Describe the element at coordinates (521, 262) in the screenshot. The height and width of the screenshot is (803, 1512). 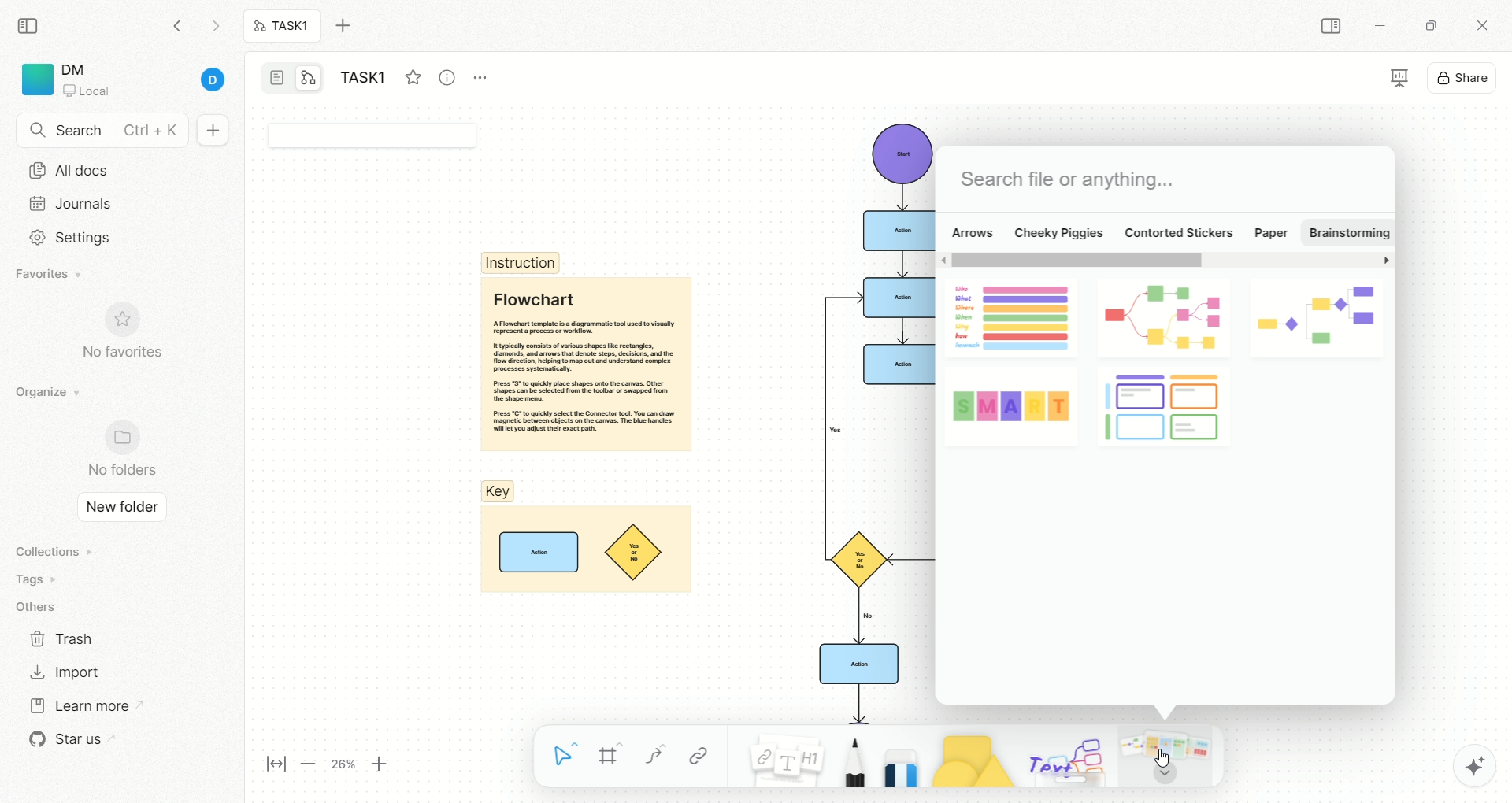
I see `instructions` at that location.